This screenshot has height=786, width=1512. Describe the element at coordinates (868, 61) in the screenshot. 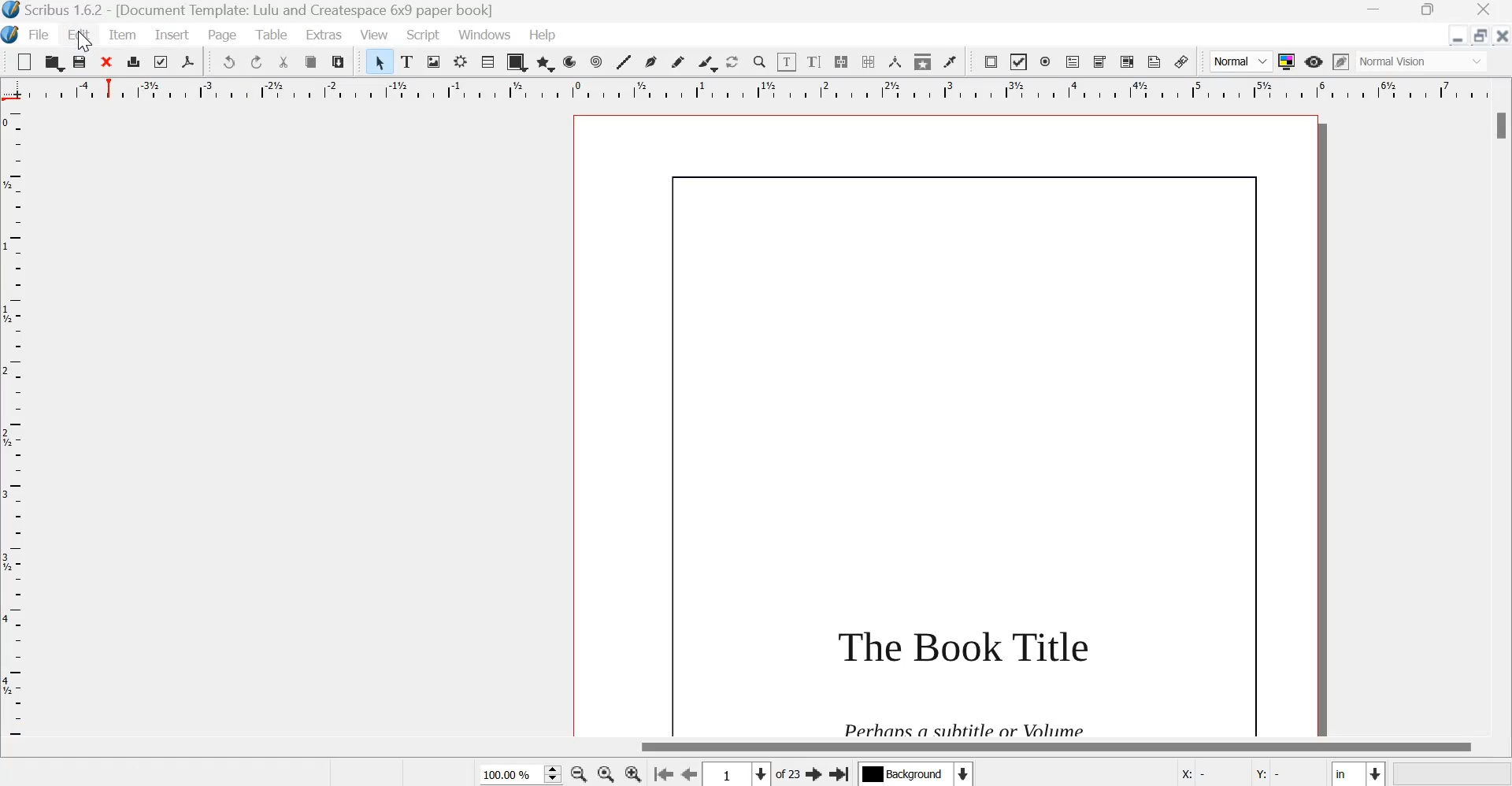

I see `Unlink text frames` at that location.